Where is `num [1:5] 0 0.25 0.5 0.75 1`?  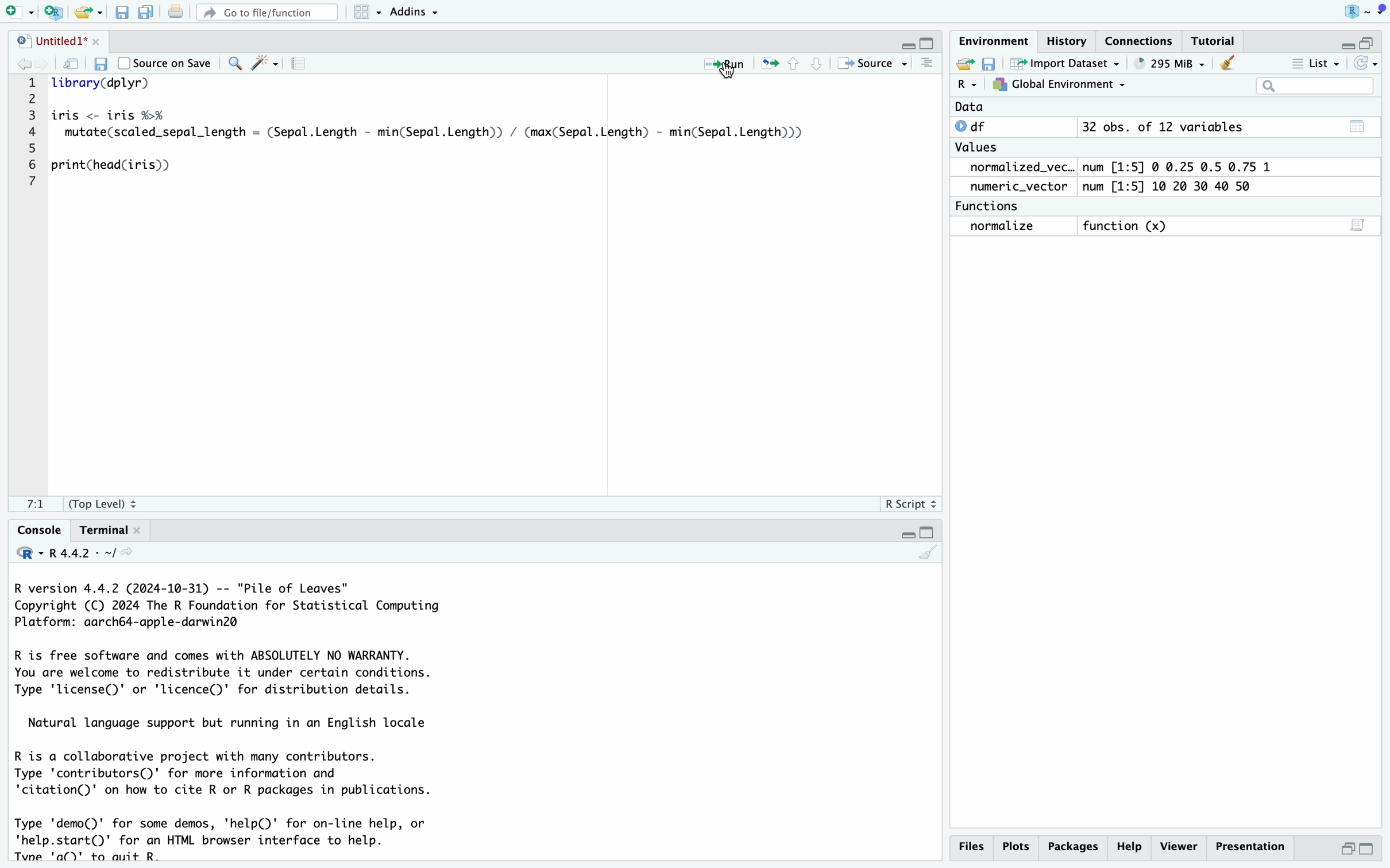 num [1:5] 0 0.25 0.5 0.75 1 is located at coordinates (1180, 167).